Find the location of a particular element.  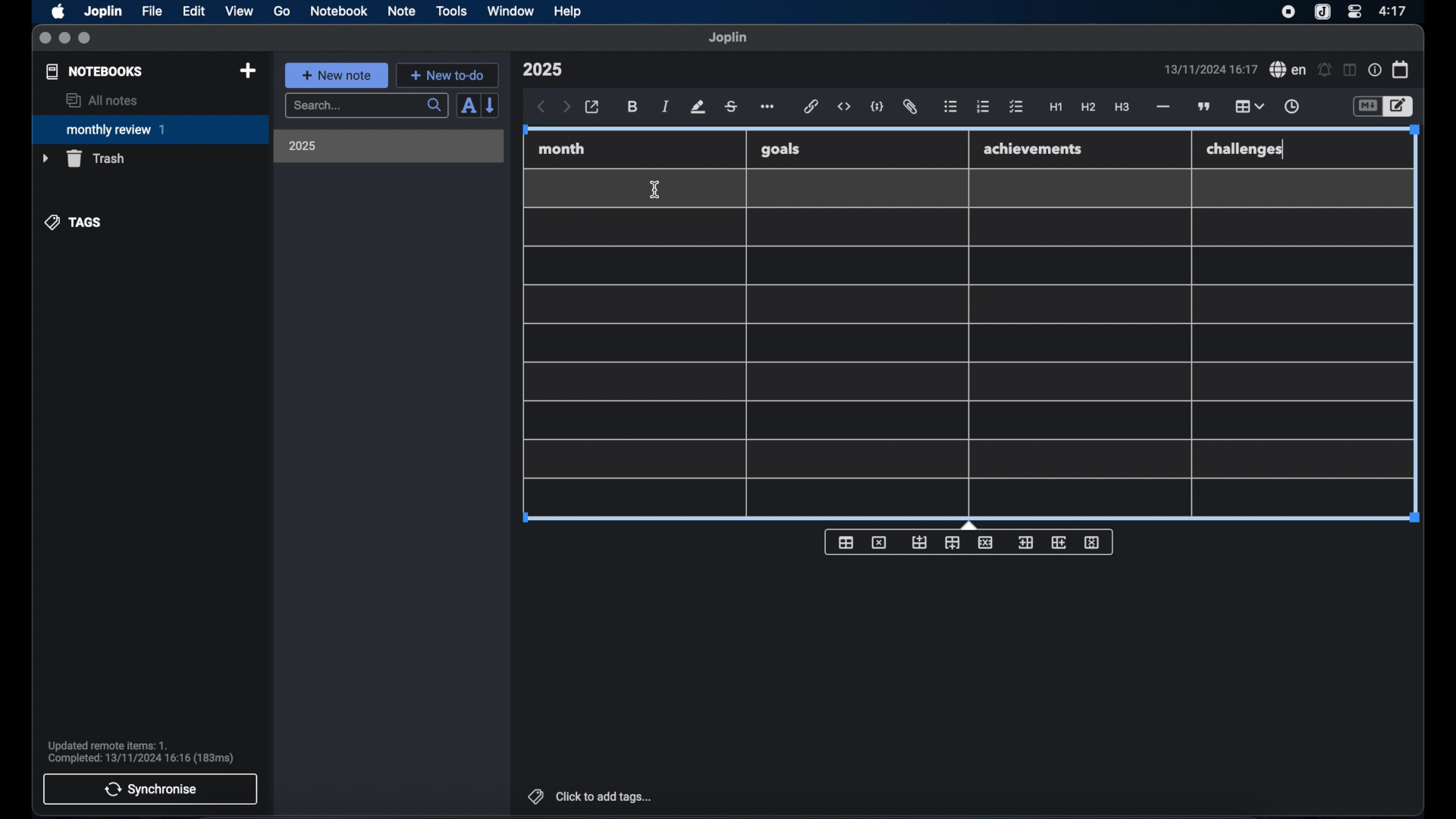

minimize is located at coordinates (64, 39).